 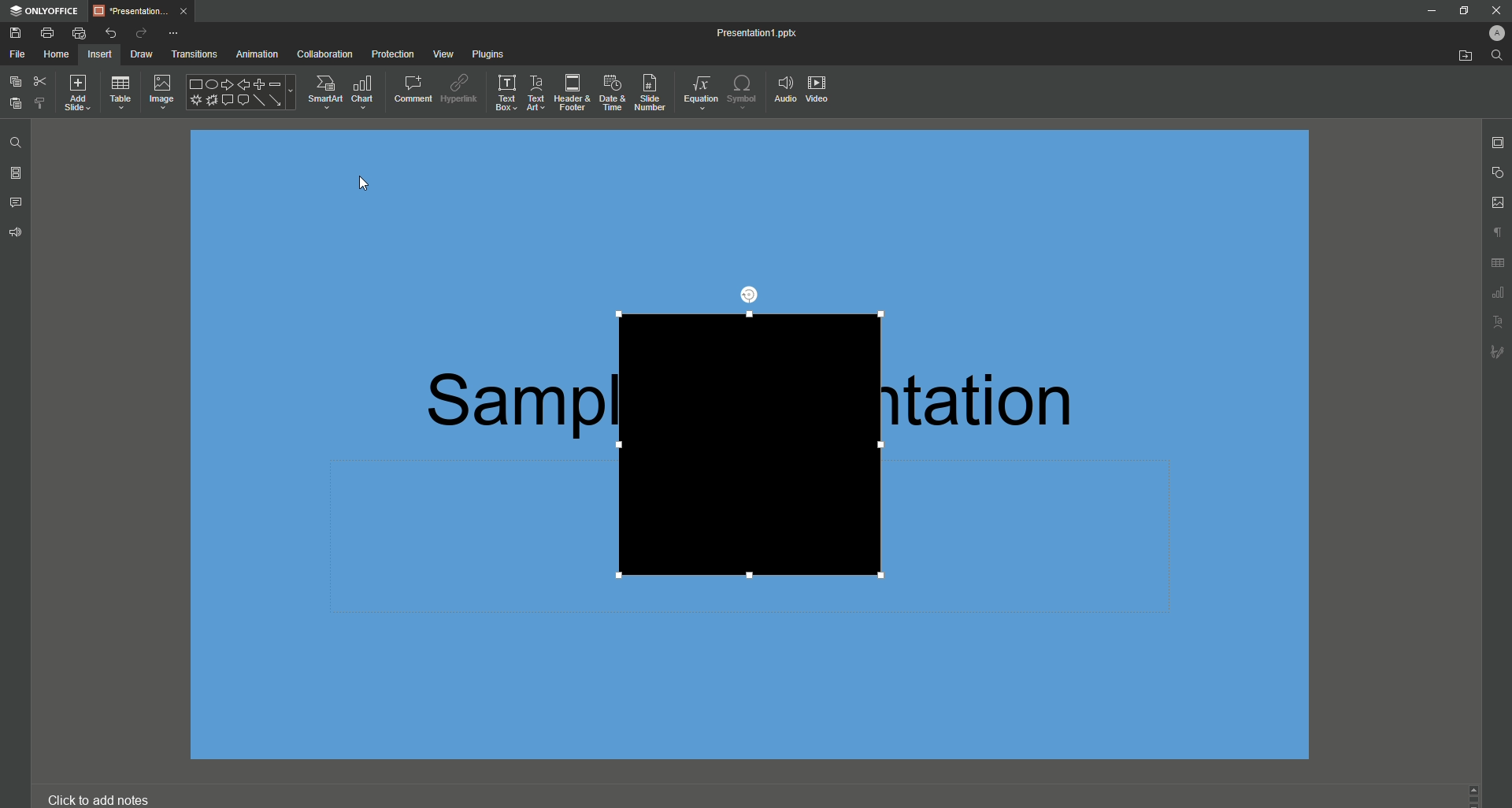 I want to click on , so click(x=1496, y=9).